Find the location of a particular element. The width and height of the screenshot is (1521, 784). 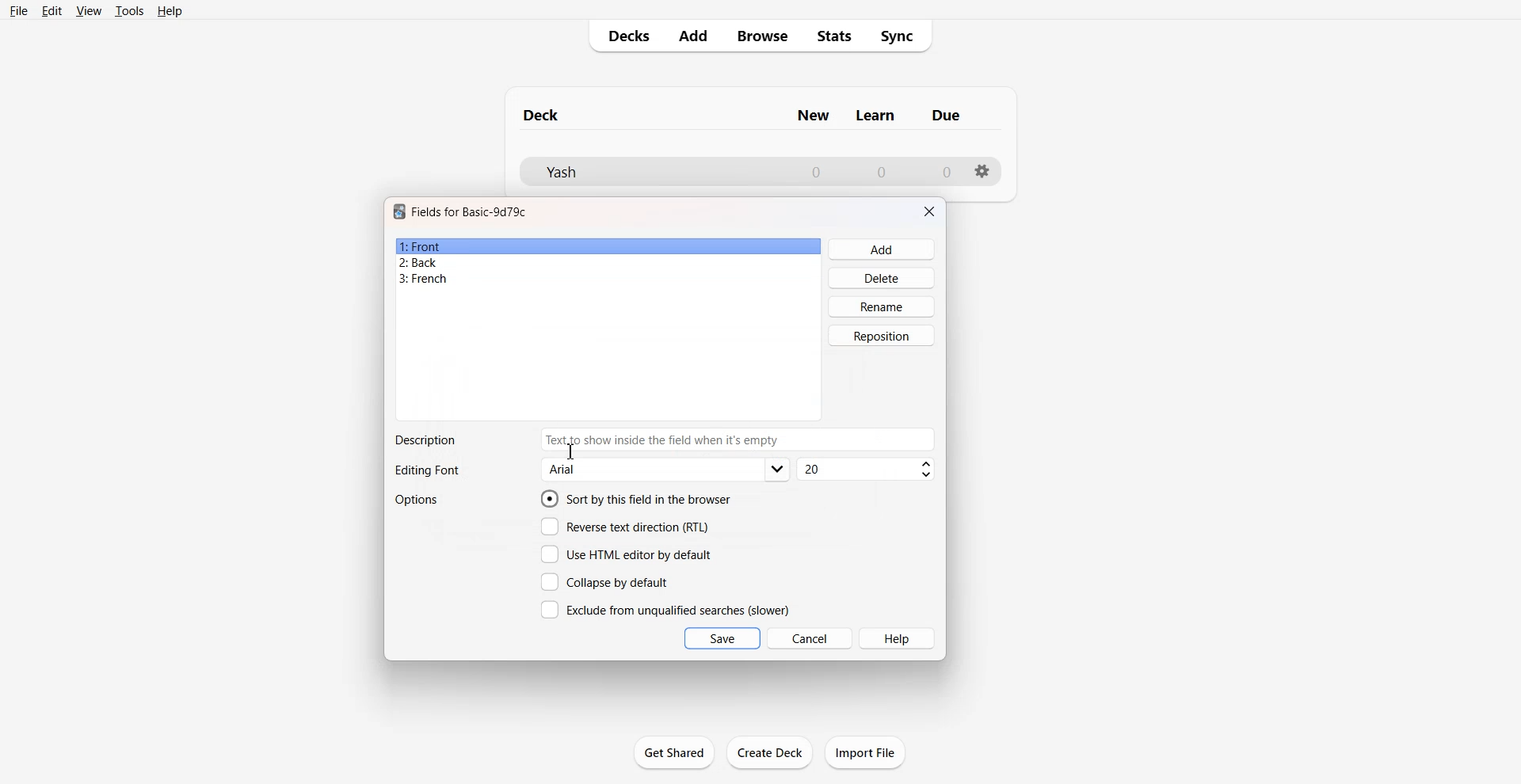

Text 1 is located at coordinates (470, 211).